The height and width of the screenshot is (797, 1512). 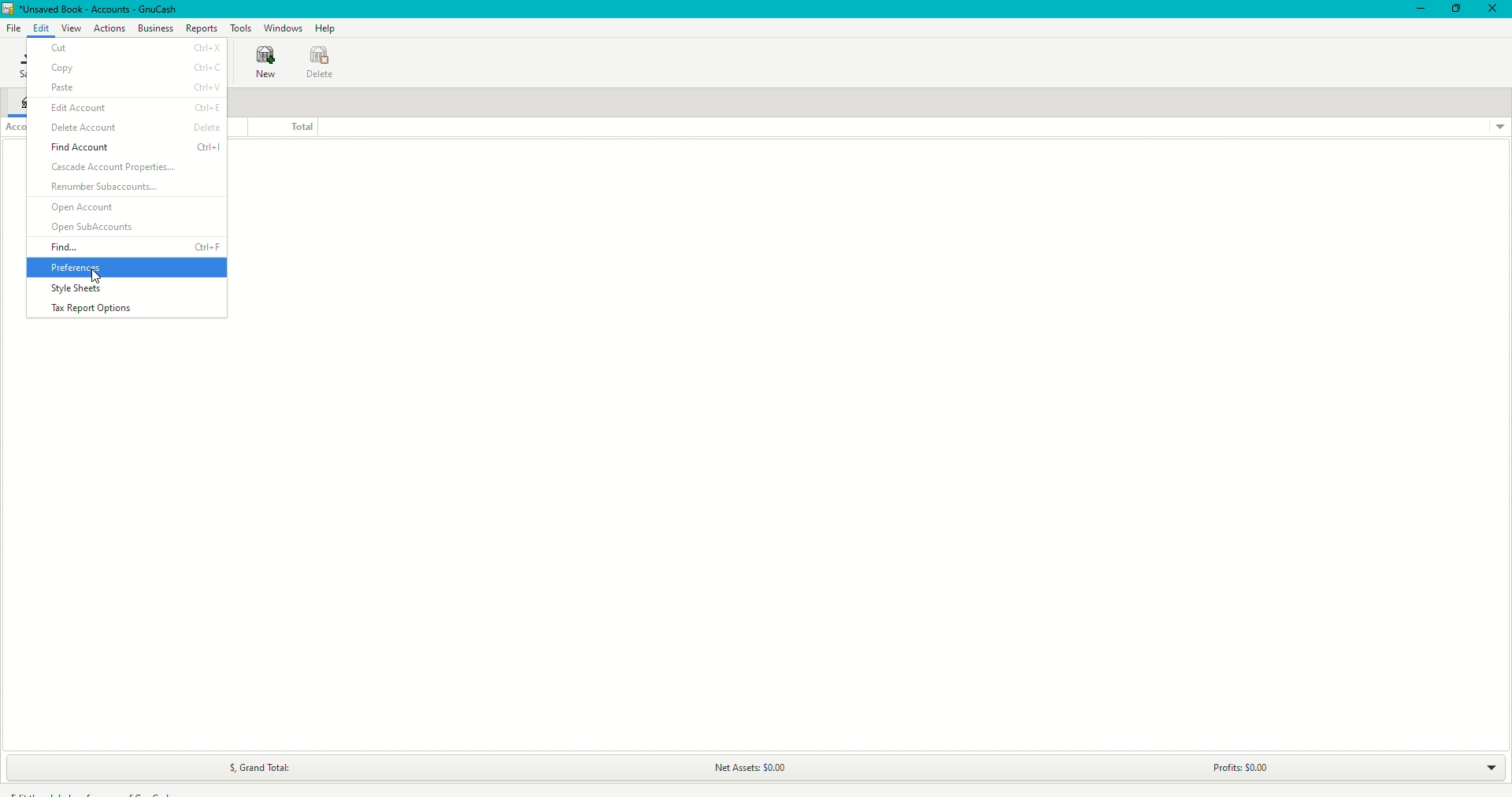 I want to click on Find Account, so click(x=137, y=149).